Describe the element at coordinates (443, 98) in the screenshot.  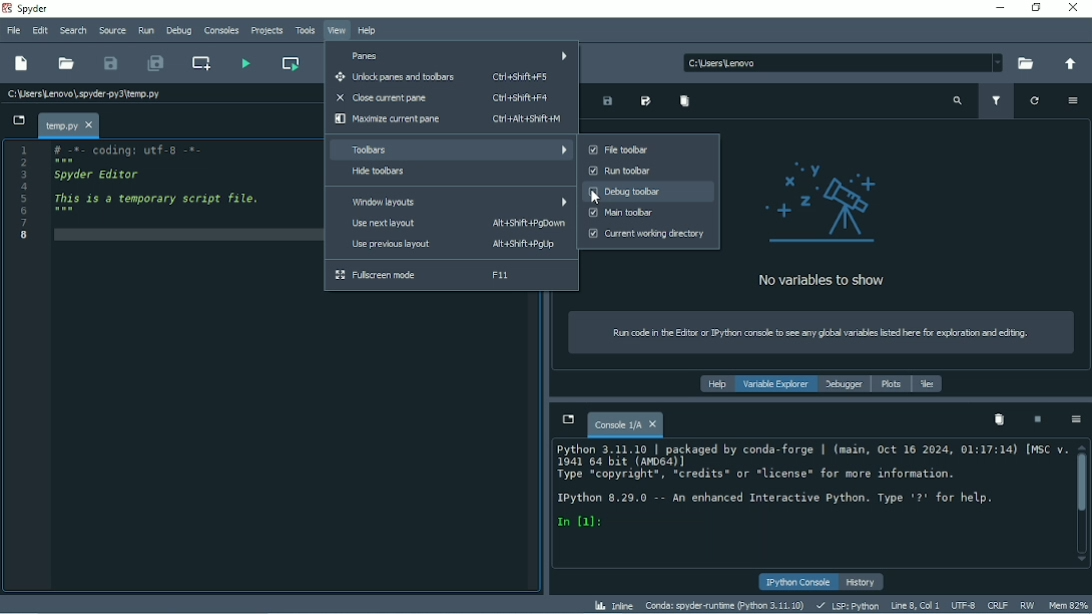
I see `Close current pane` at that location.